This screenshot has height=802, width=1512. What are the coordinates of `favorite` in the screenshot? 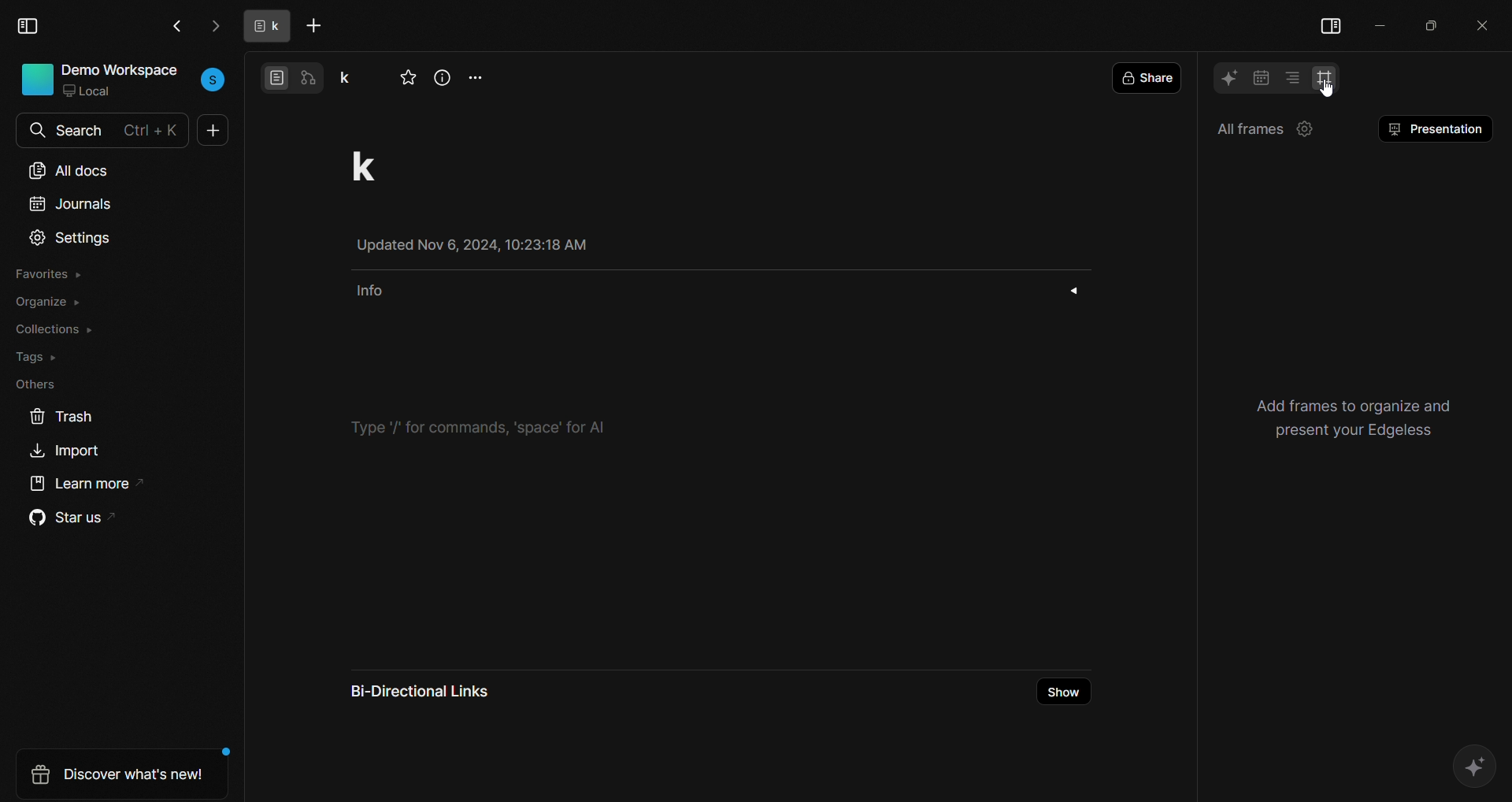 It's located at (409, 79).